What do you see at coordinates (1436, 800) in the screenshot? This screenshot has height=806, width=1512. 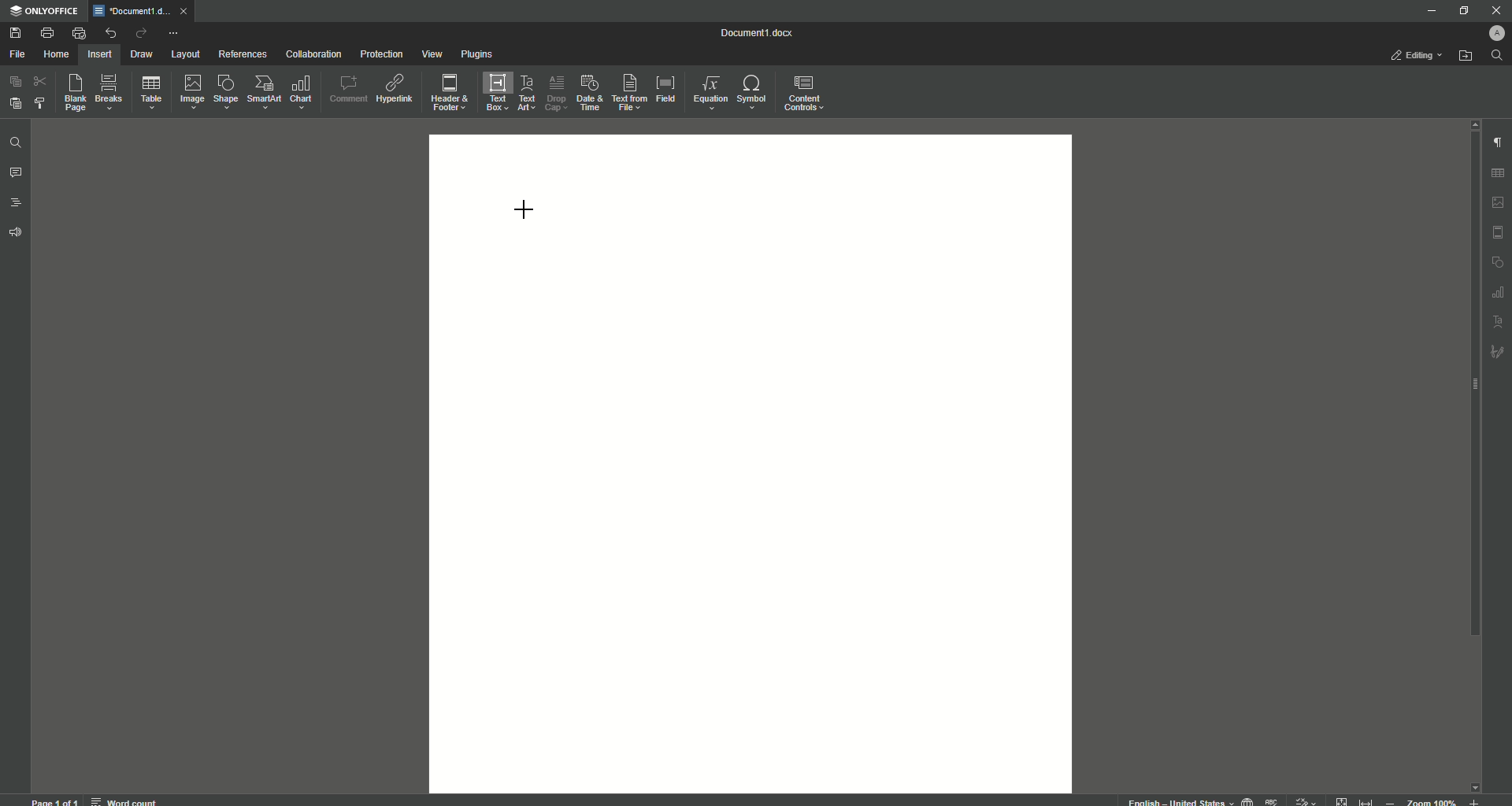 I see `zoom out or zoom in` at bounding box center [1436, 800].